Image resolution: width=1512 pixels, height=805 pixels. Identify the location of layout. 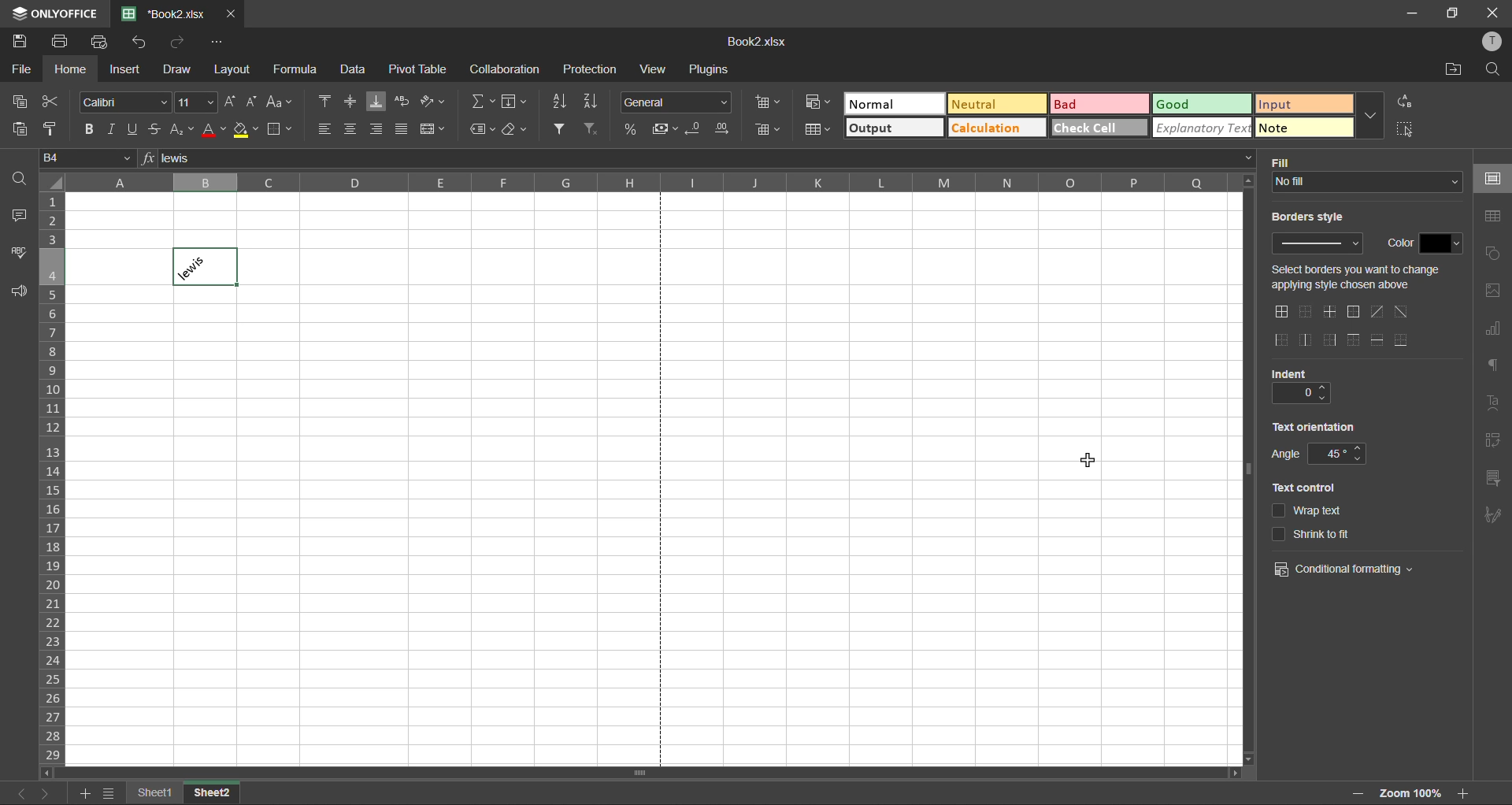
(232, 69).